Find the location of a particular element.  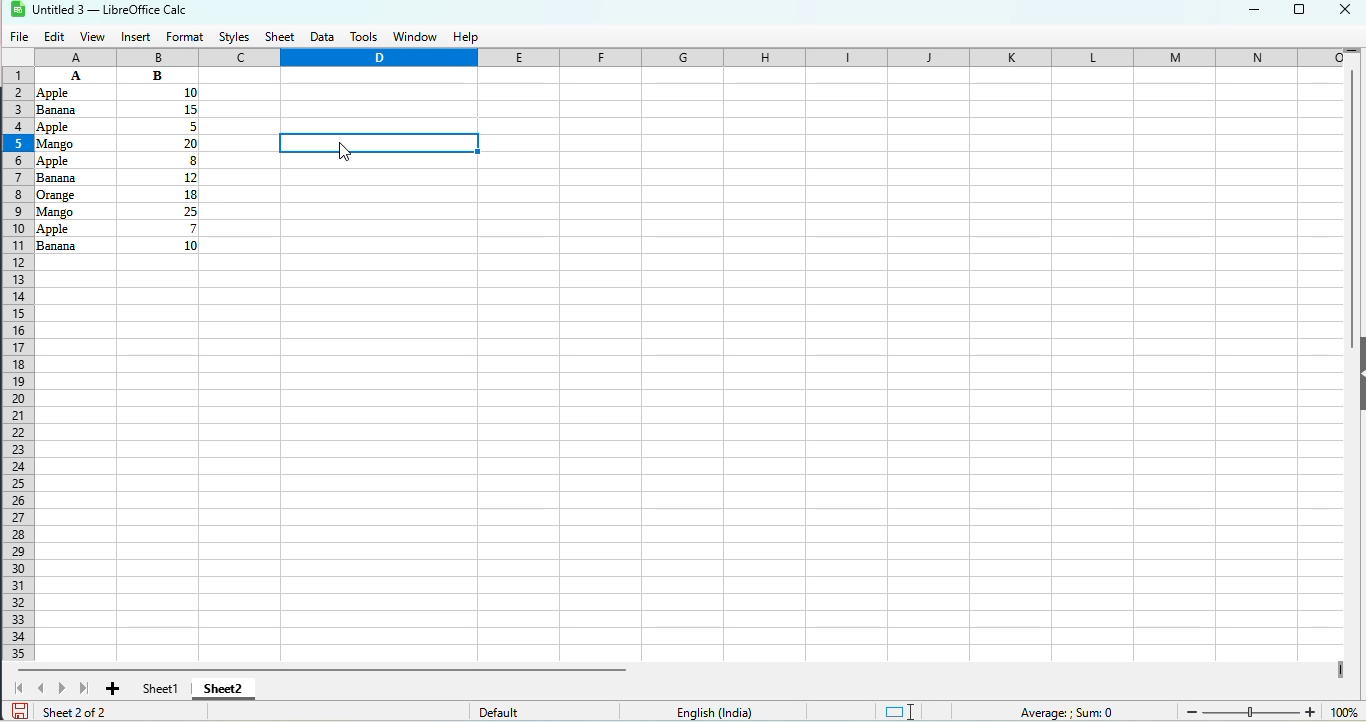

view is located at coordinates (92, 38).